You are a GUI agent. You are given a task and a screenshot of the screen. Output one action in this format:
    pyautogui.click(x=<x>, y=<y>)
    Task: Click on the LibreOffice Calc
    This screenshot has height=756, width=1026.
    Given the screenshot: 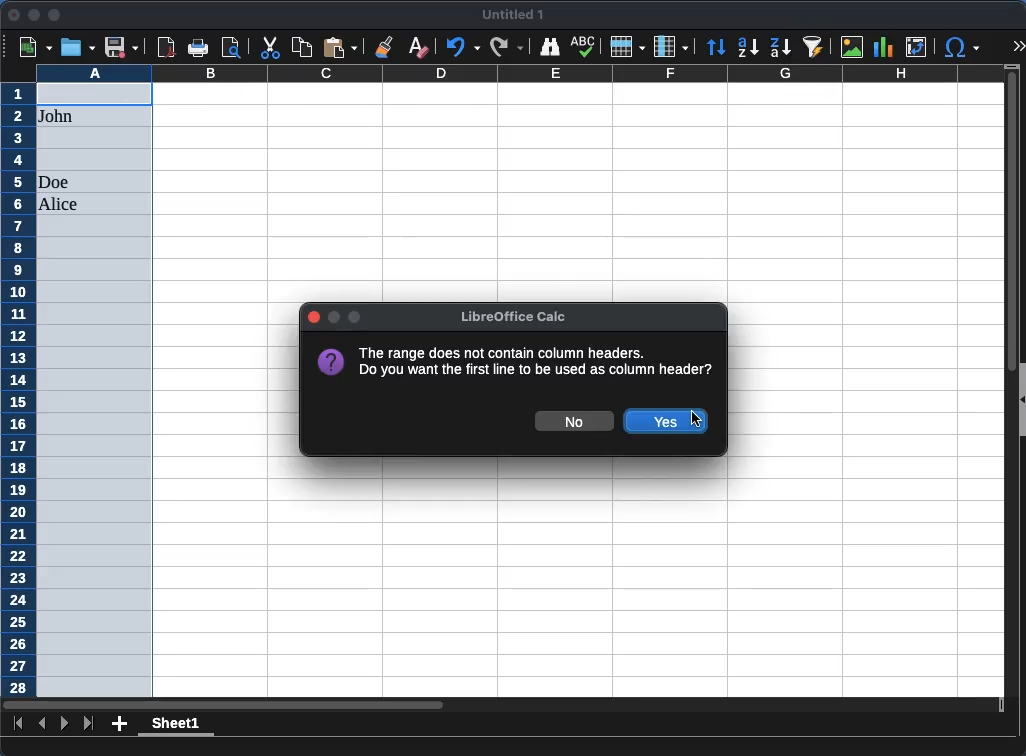 What is the action you would take?
    pyautogui.click(x=509, y=316)
    